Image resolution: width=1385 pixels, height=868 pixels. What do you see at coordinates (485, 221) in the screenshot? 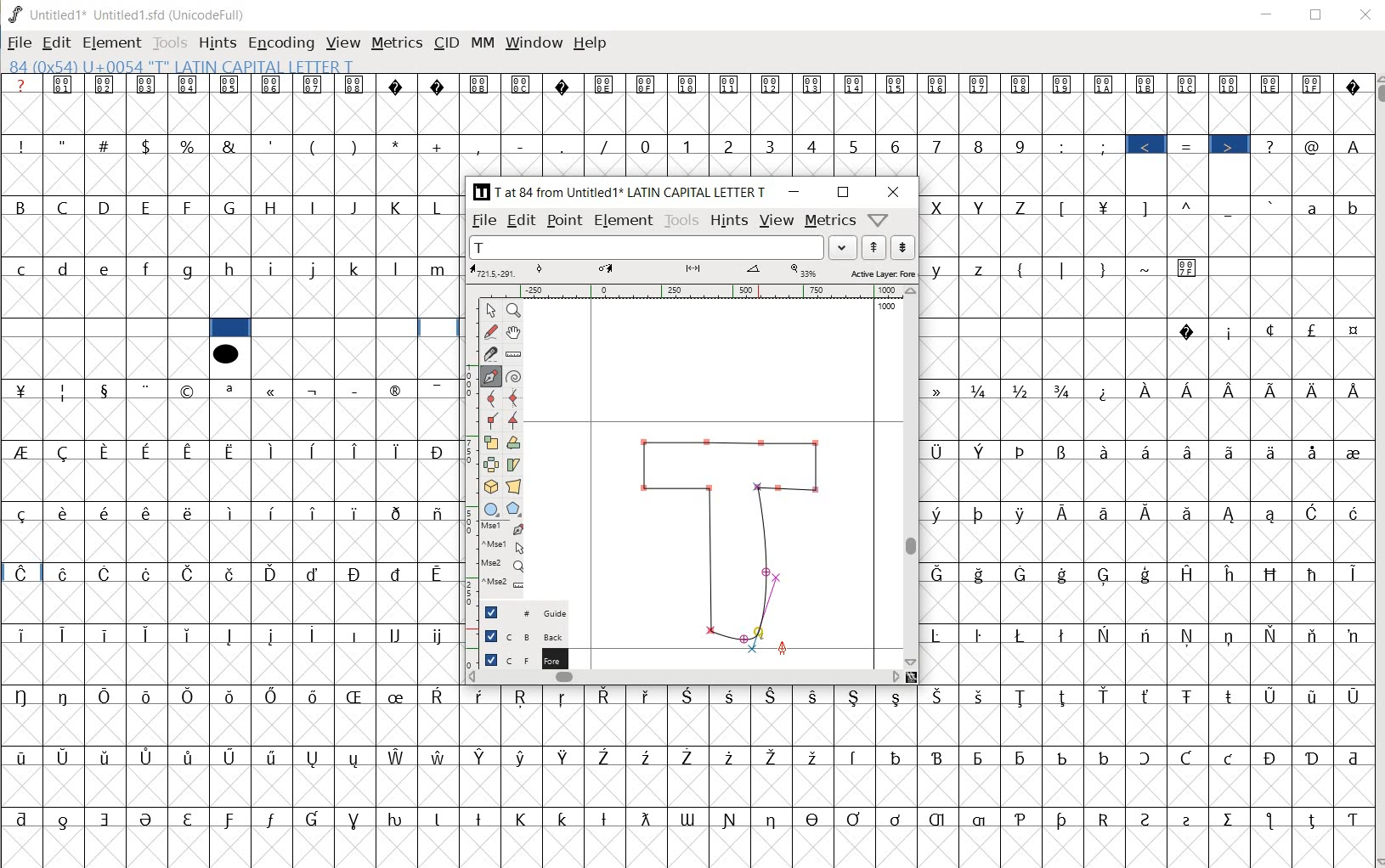
I see `file` at bounding box center [485, 221].